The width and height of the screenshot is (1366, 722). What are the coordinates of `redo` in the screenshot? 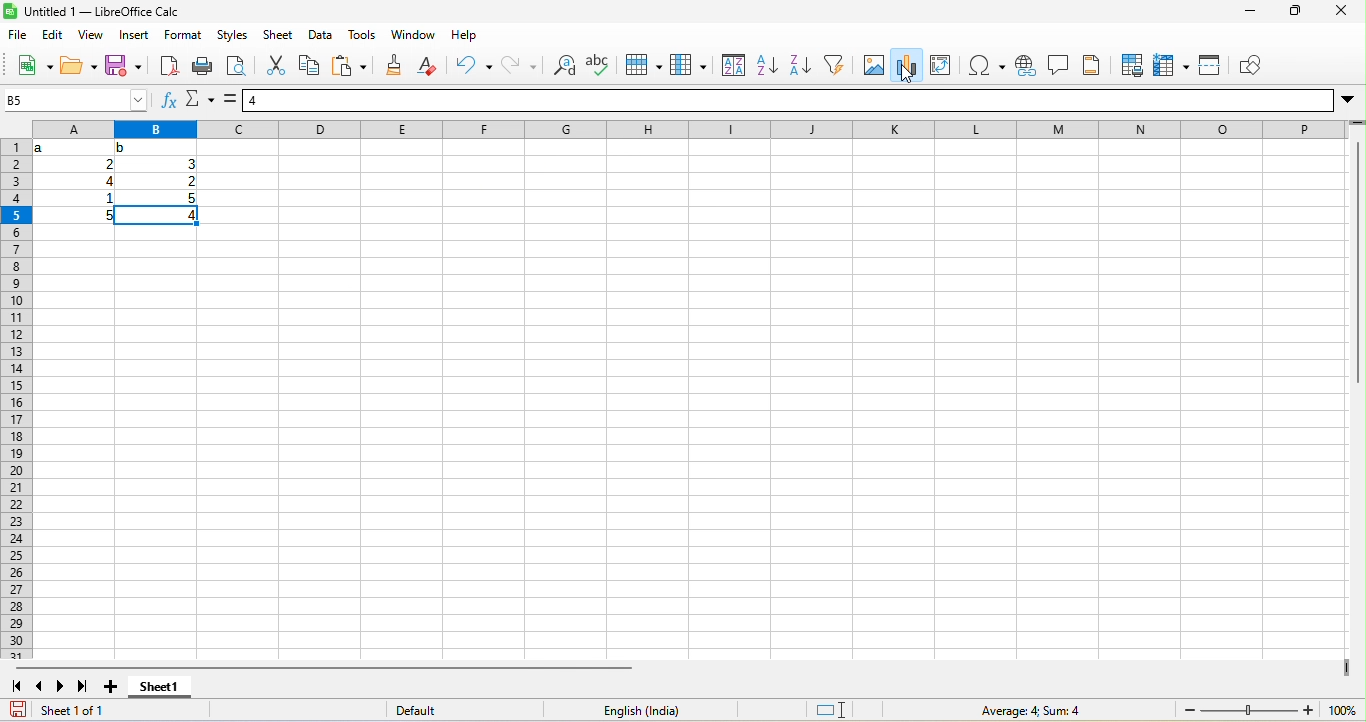 It's located at (519, 64).